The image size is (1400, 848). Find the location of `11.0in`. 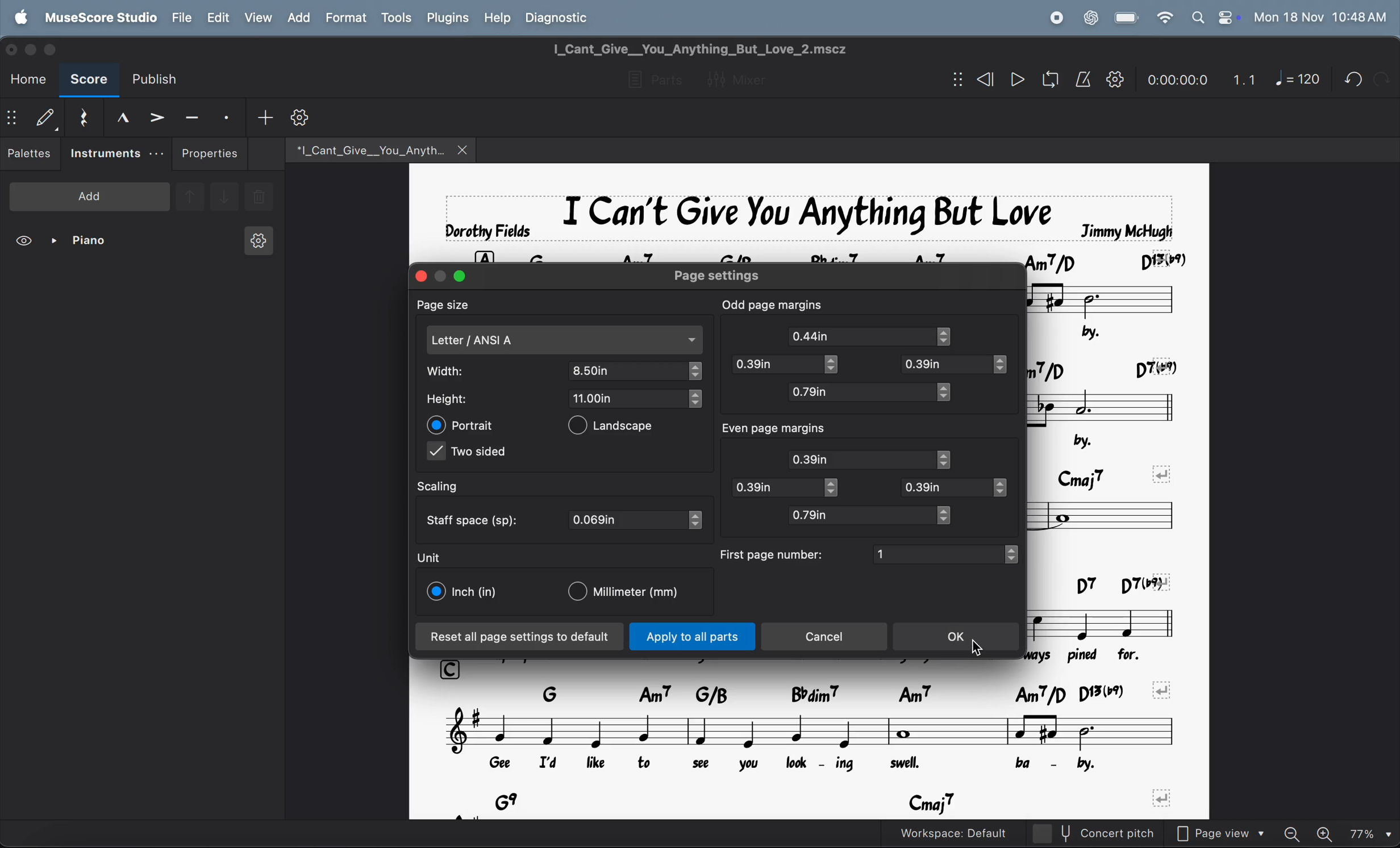

11.0in is located at coordinates (628, 398).